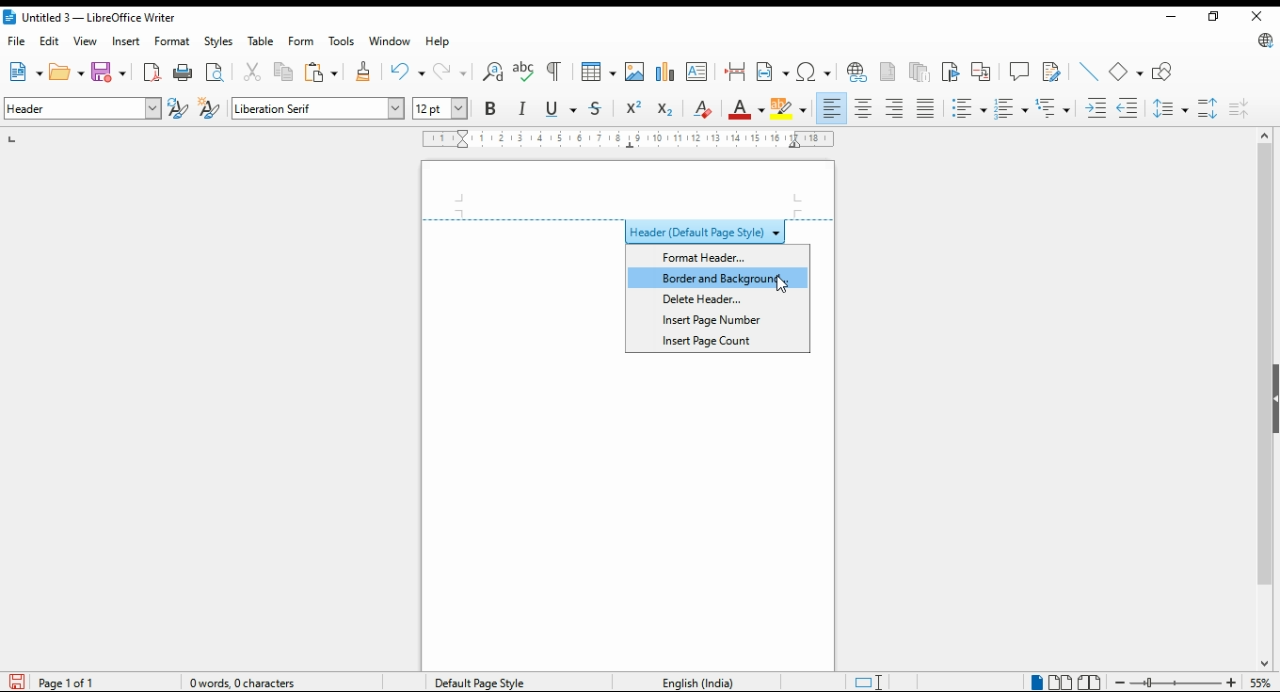 Image resolution: width=1280 pixels, height=692 pixels. I want to click on insert comment, so click(1019, 70).